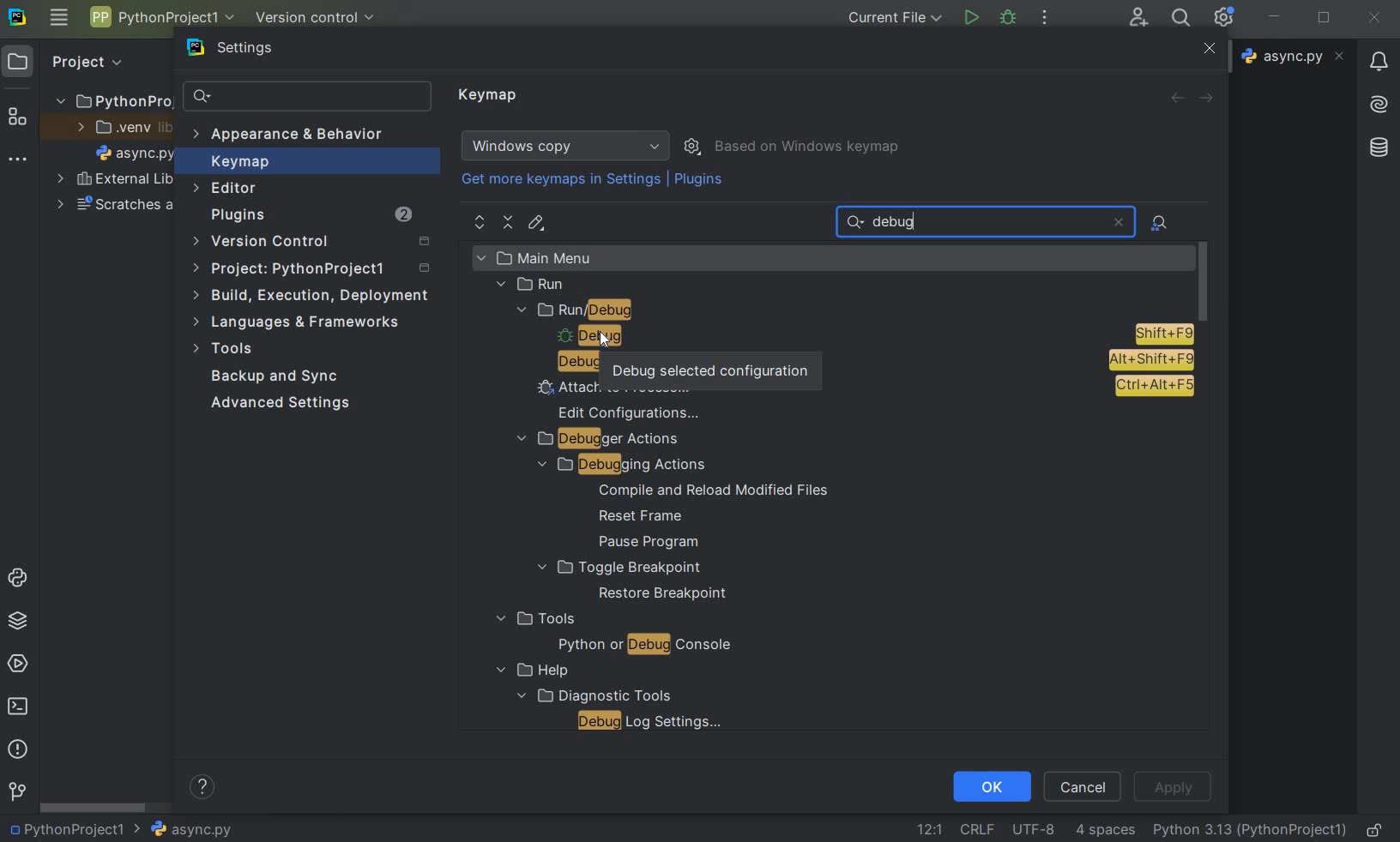 This screenshot has height=842, width=1400. Describe the element at coordinates (17, 792) in the screenshot. I see `version control` at that location.